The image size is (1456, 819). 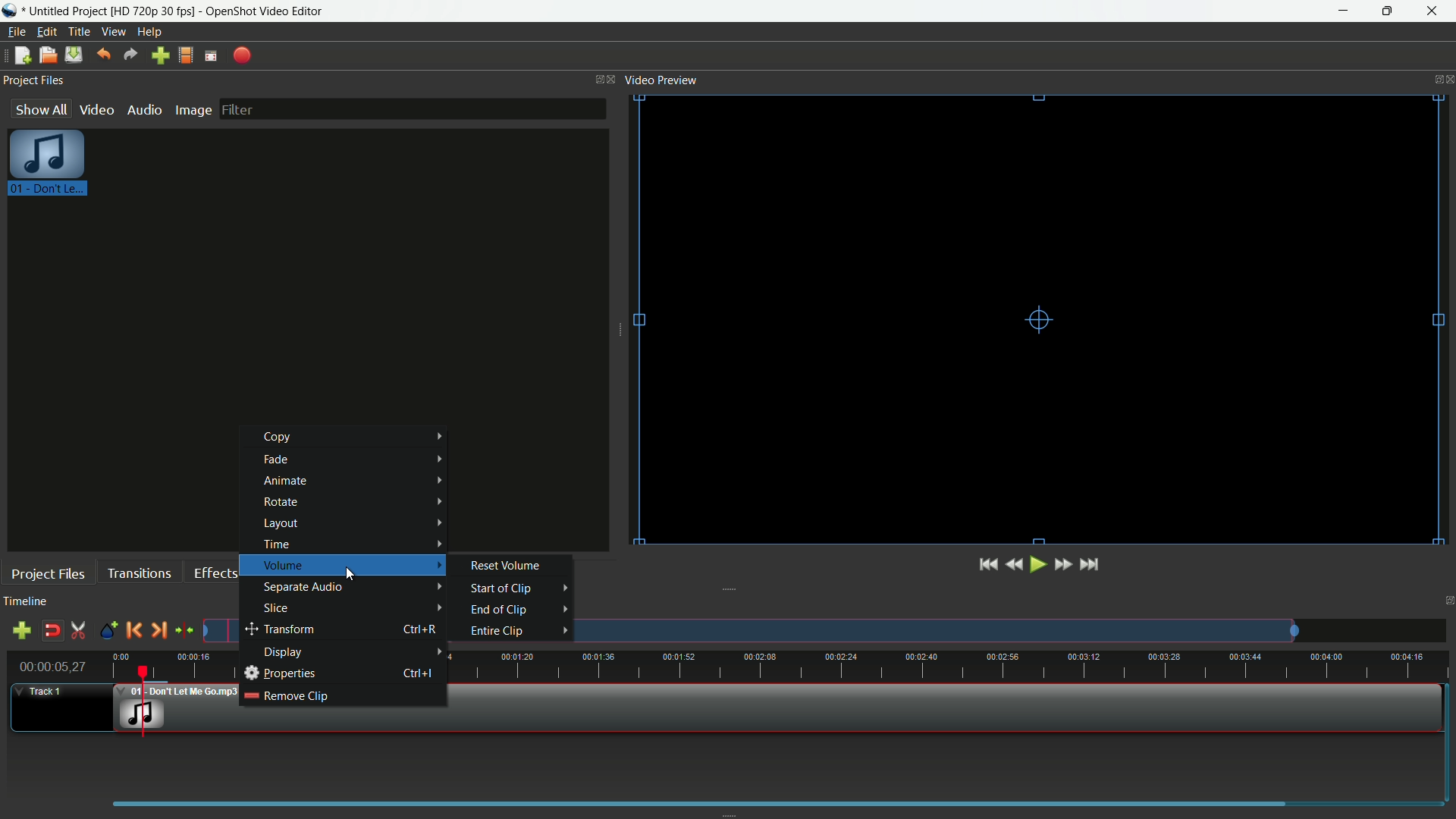 What do you see at coordinates (595, 78) in the screenshot?
I see `change layout` at bounding box center [595, 78].